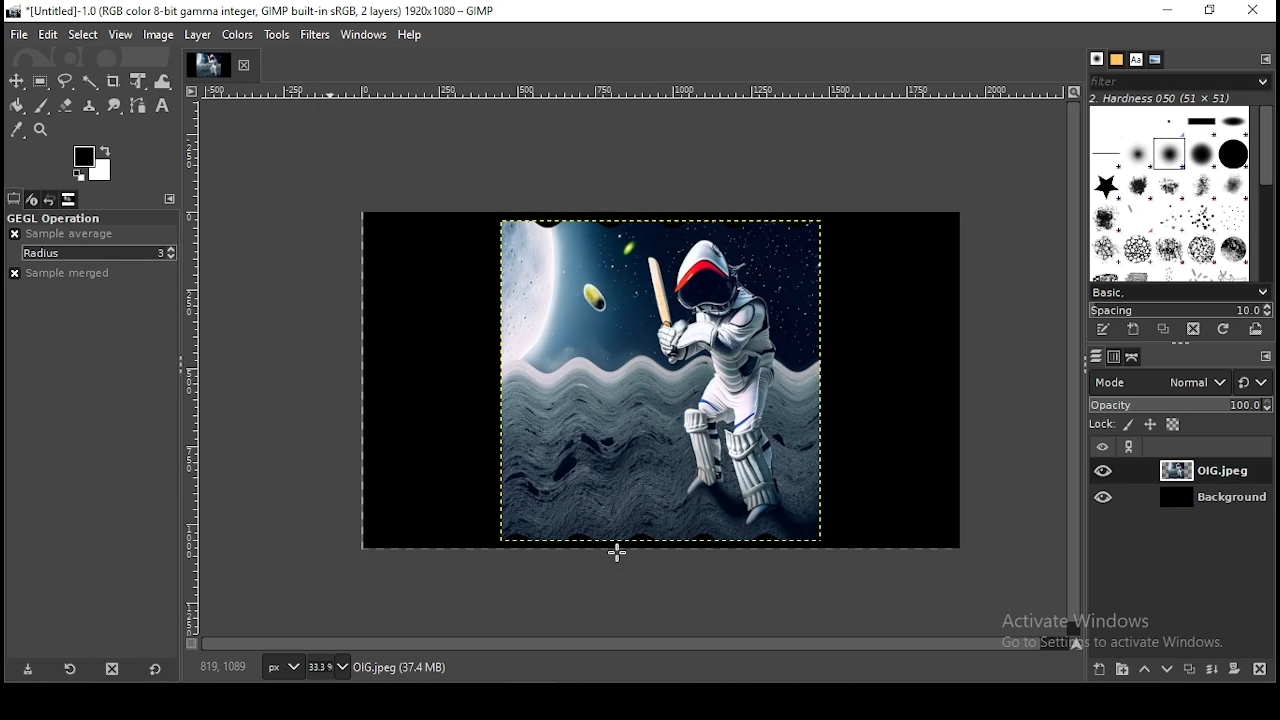 The width and height of the screenshot is (1280, 720). What do you see at coordinates (410, 34) in the screenshot?
I see `help` at bounding box center [410, 34].